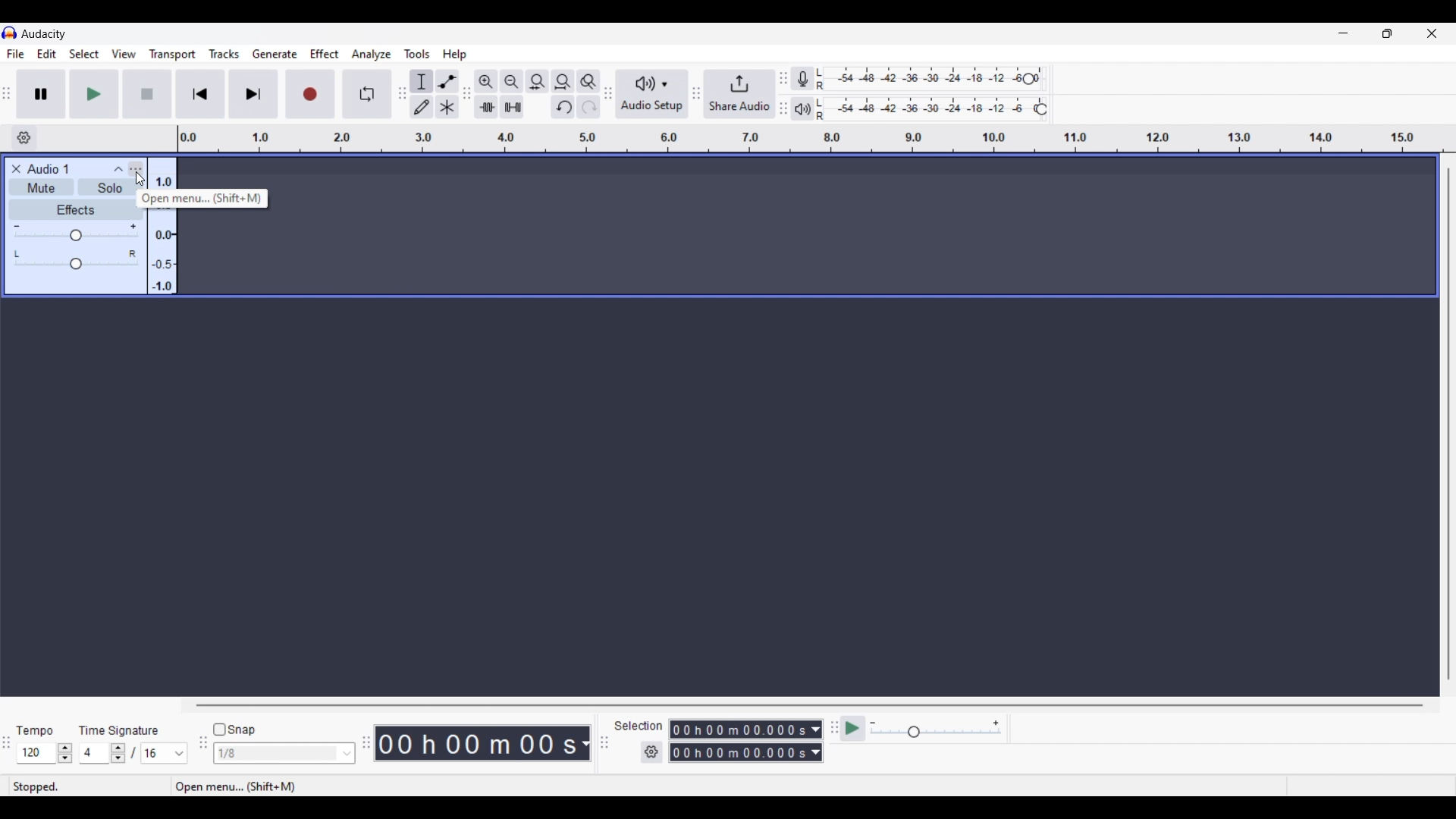 The width and height of the screenshot is (1456, 819). I want to click on Zoom in, so click(485, 81).